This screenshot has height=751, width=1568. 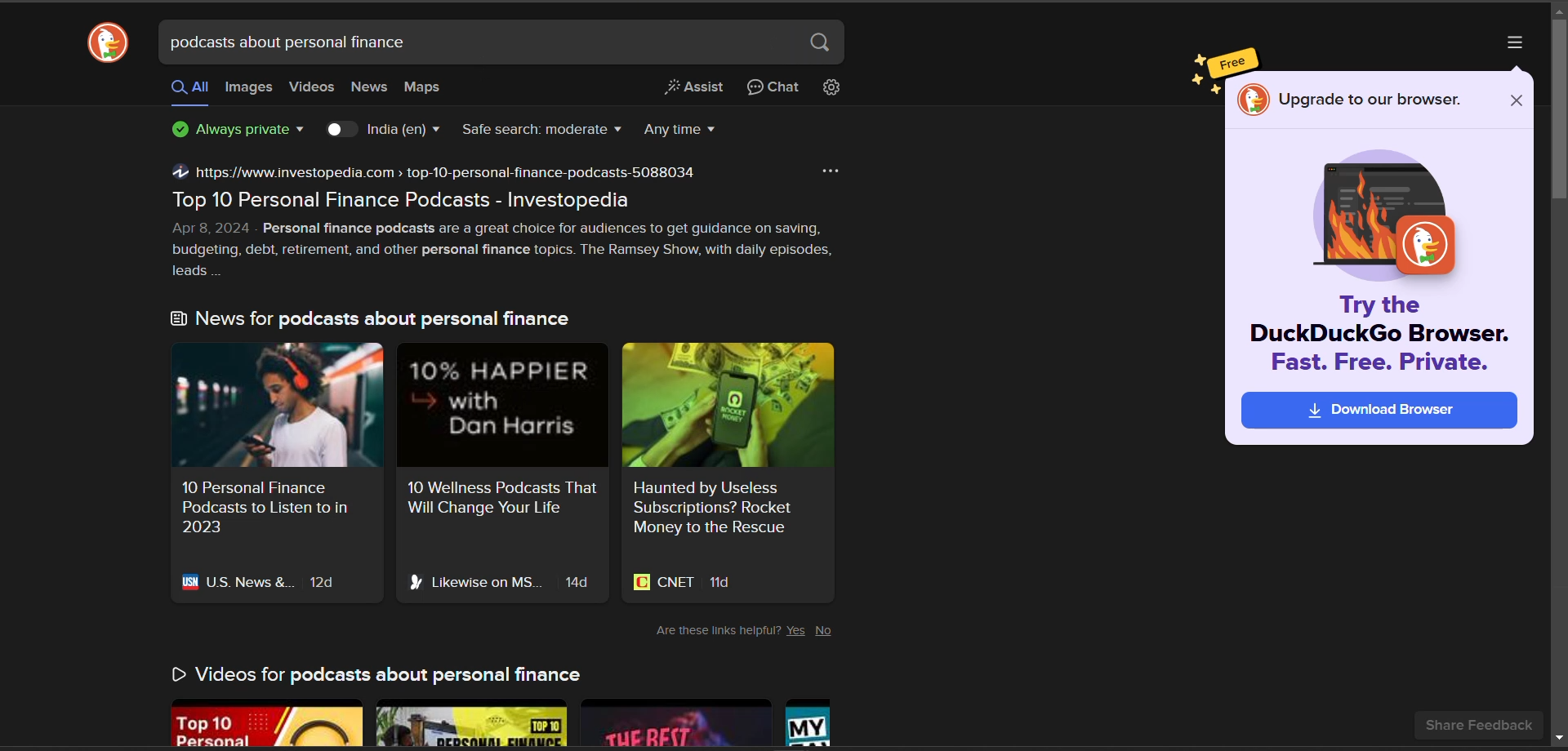 What do you see at coordinates (188, 91) in the screenshot?
I see `all` at bounding box center [188, 91].